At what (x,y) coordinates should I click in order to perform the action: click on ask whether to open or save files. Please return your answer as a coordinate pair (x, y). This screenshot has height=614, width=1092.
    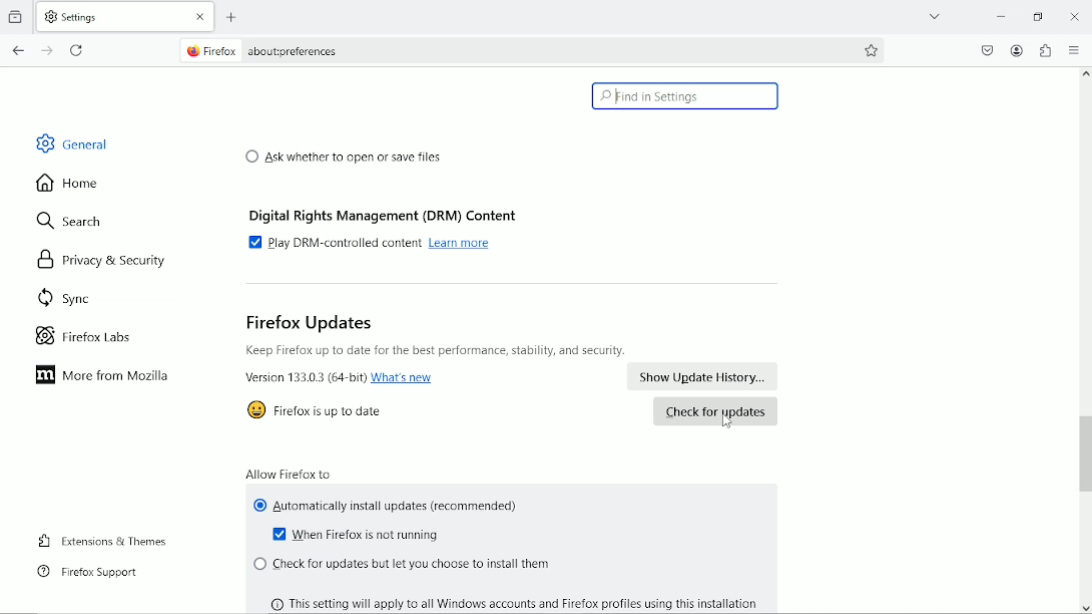
    Looking at the image, I should click on (343, 155).